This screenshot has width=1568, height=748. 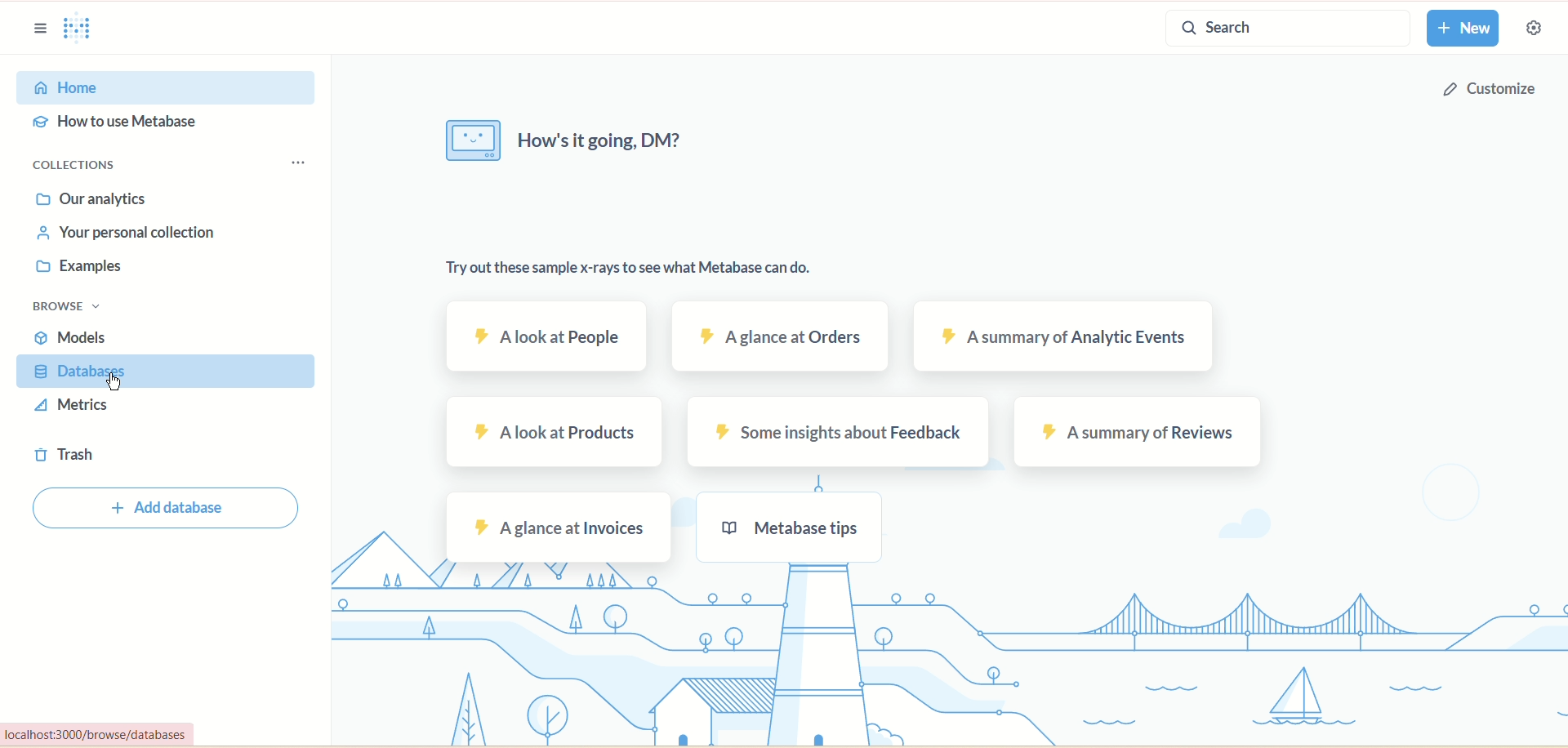 What do you see at coordinates (116, 384) in the screenshot?
I see `cursor` at bounding box center [116, 384].